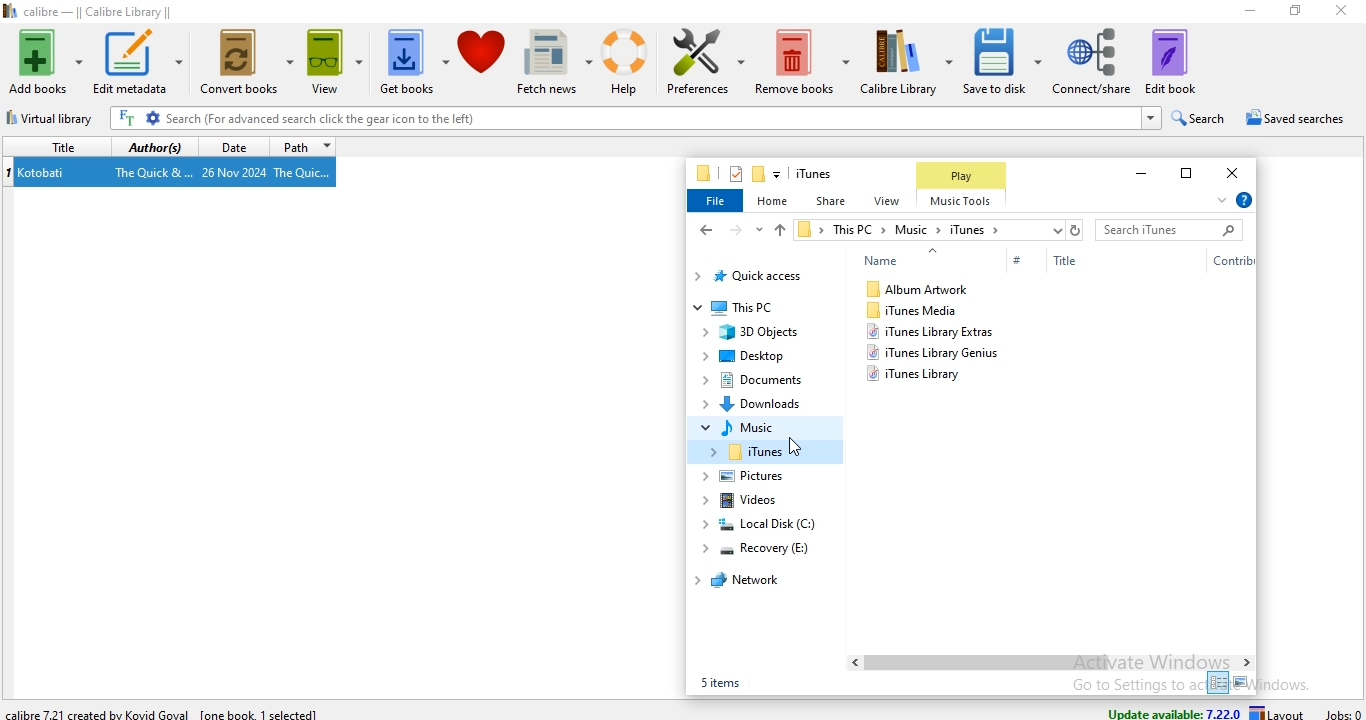 This screenshot has width=1366, height=720. Describe the element at coordinates (1242, 13) in the screenshot. I see `minimise` at that location.